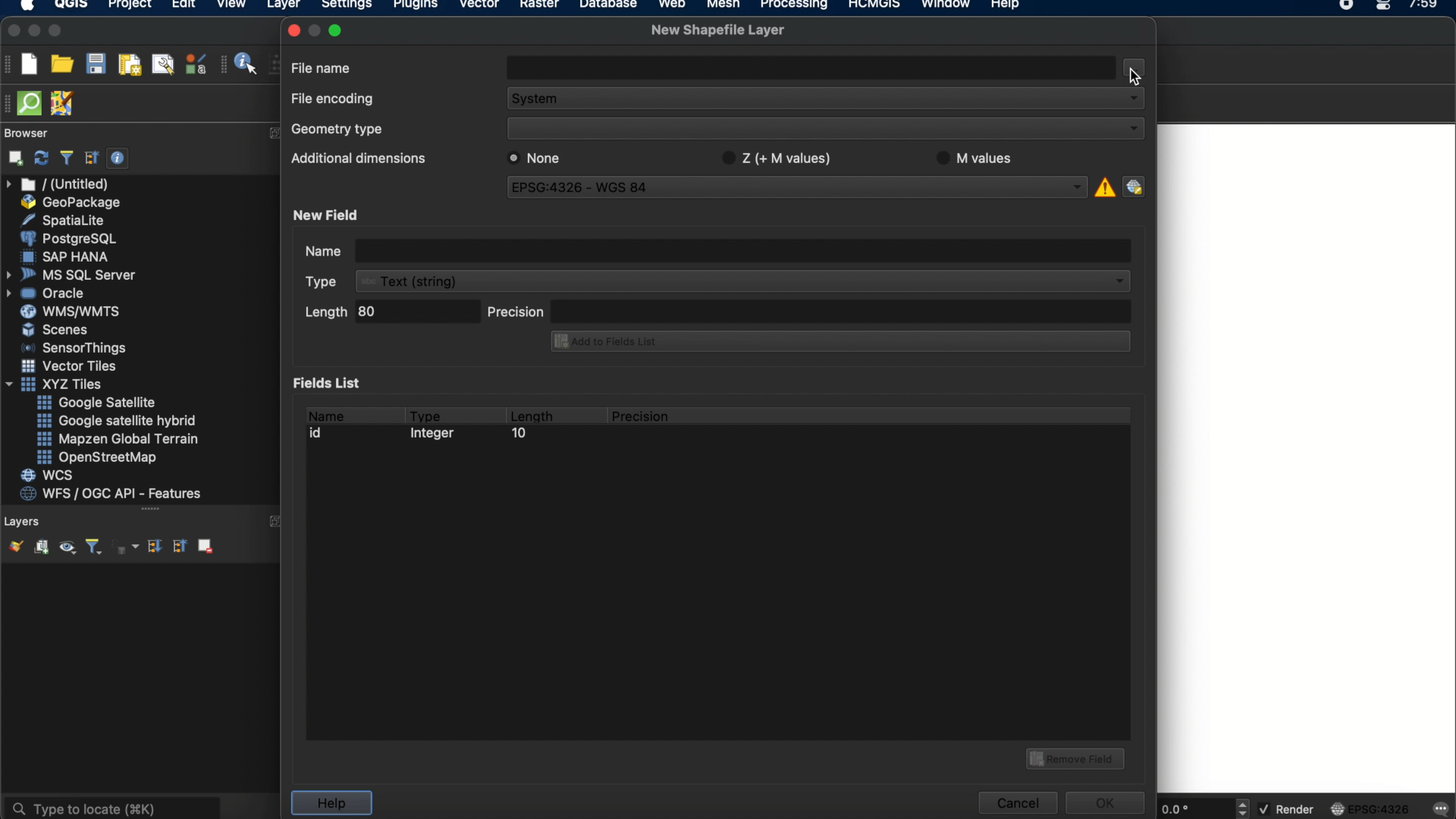 The height and width of the screenshot is (819, 1456). What do you see at coordinates (111, 494) in the screenshot?
I see `was/ogc api- features` at bounding box center [111, 494].